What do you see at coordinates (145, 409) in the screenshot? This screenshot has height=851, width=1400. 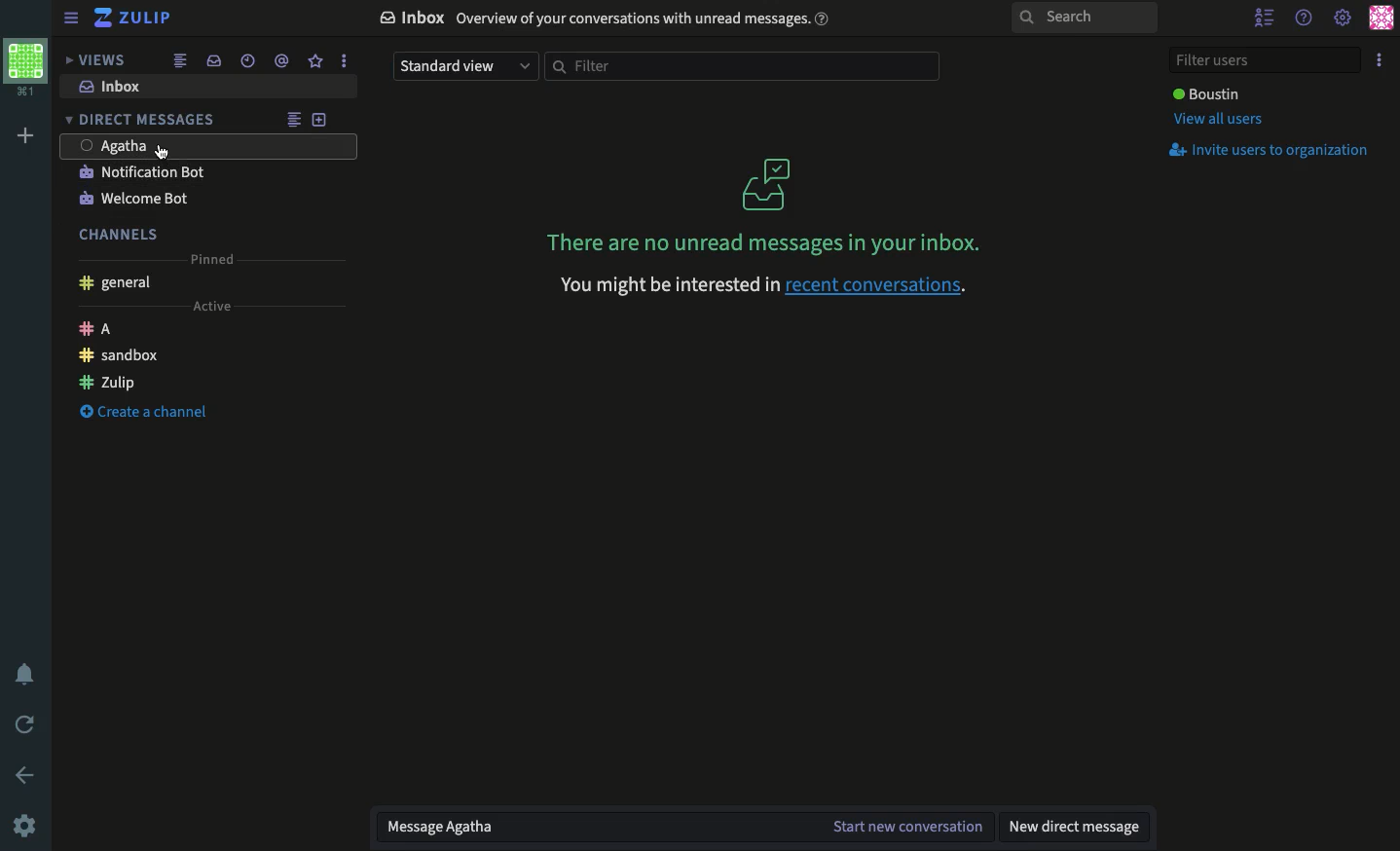 I see `Create a channel` at bounding box center [145, 409].